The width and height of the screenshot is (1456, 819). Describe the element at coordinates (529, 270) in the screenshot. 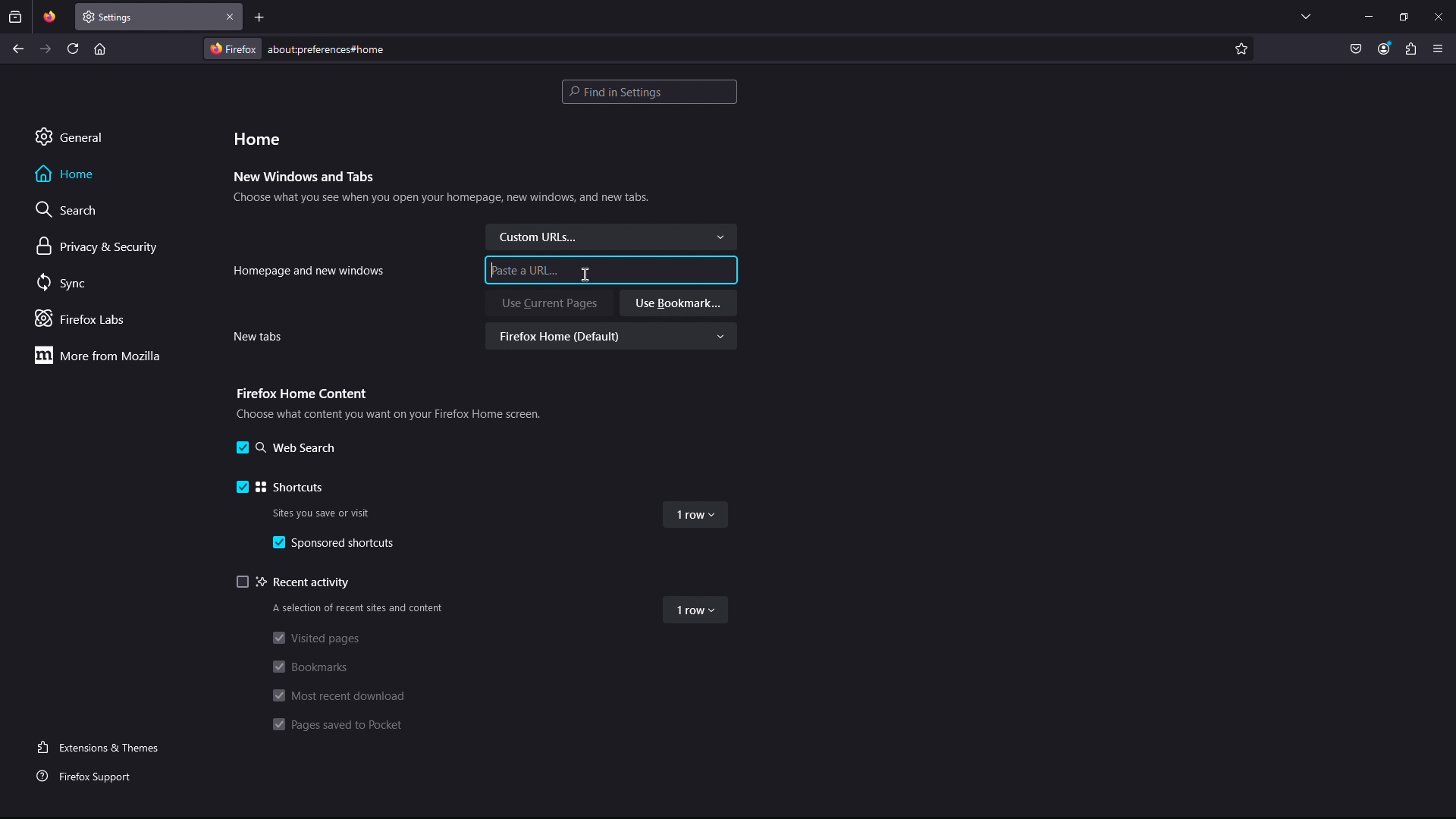

I see `Paste a URL` at that location.